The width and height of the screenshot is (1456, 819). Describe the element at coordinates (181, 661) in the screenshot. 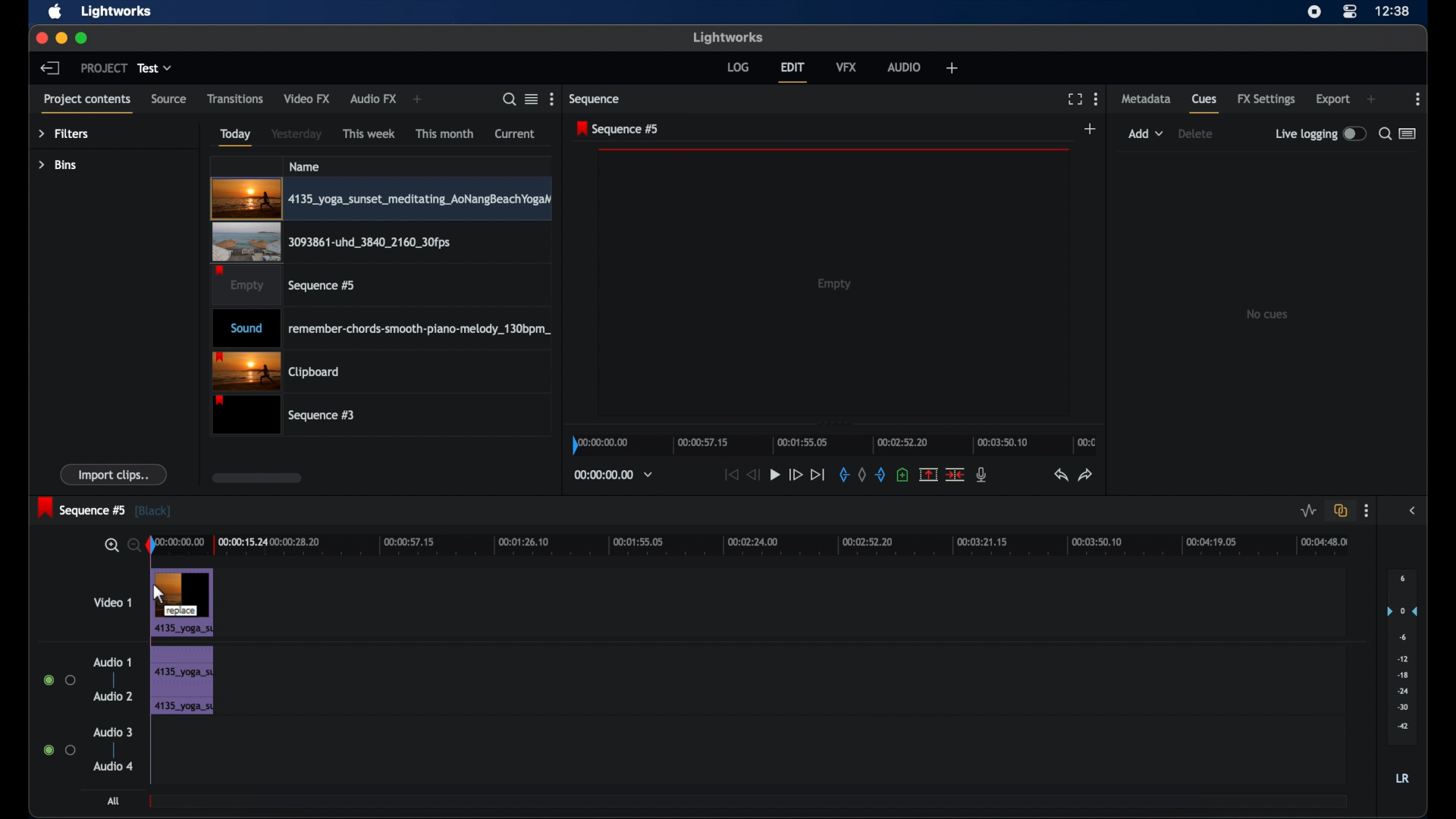

I see `audio clip` at that location.